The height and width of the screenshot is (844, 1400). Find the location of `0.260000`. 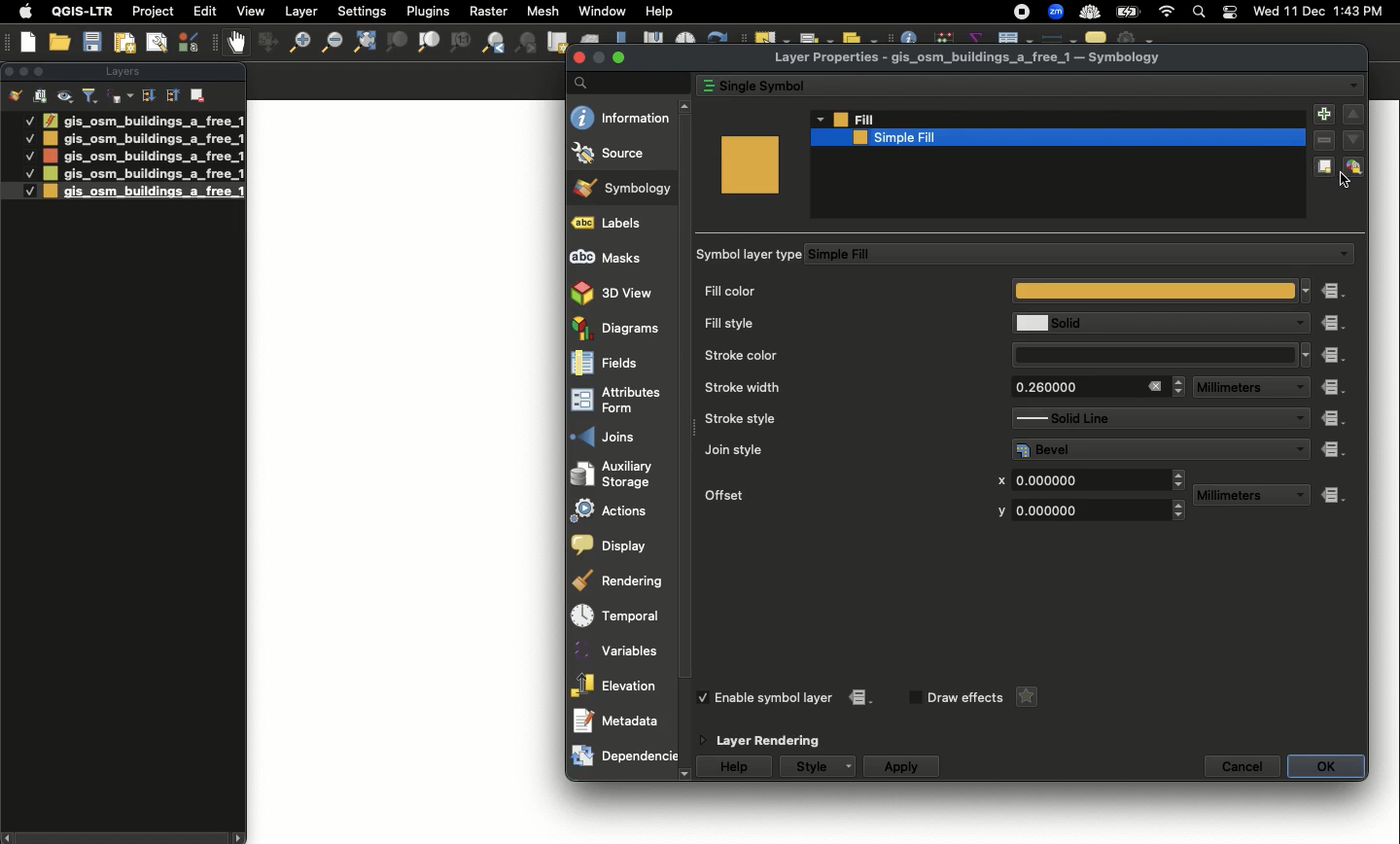

0.260000 is located at coordinates (1070, 387).